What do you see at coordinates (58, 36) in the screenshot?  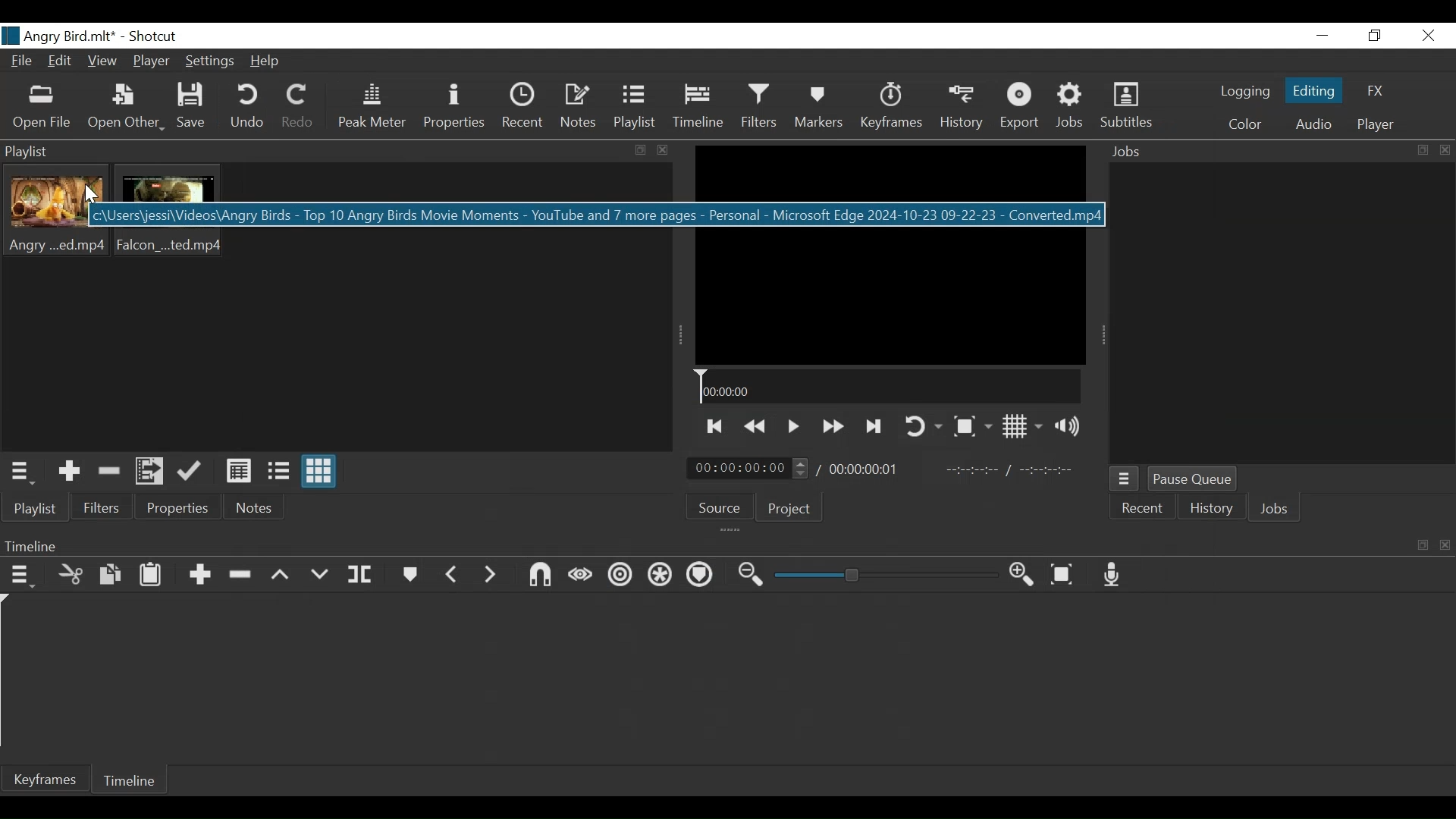 I see `File Name` at bounding box center [58, 36].